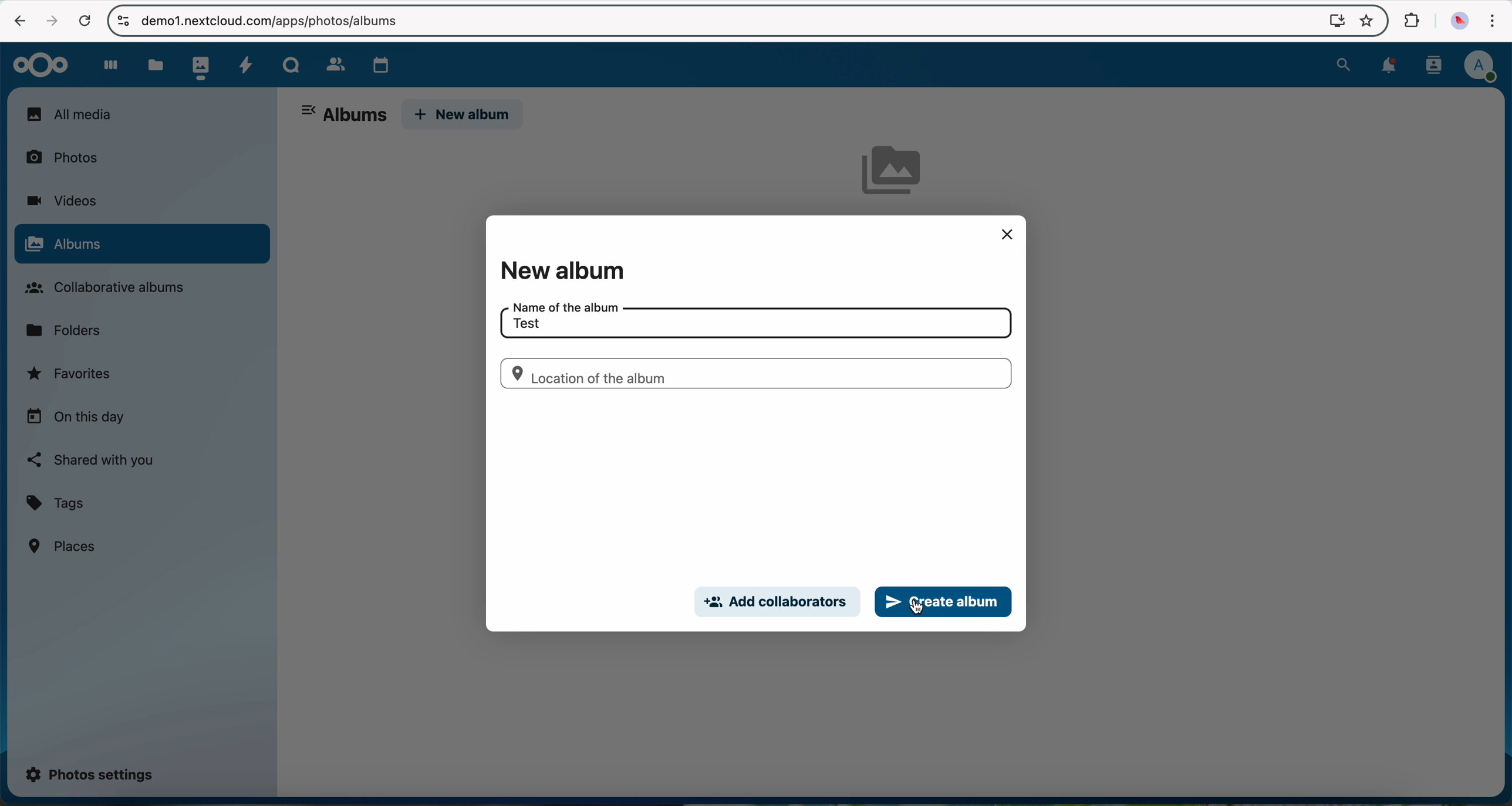  I want to click on there is no album yet, so click(897, 174).